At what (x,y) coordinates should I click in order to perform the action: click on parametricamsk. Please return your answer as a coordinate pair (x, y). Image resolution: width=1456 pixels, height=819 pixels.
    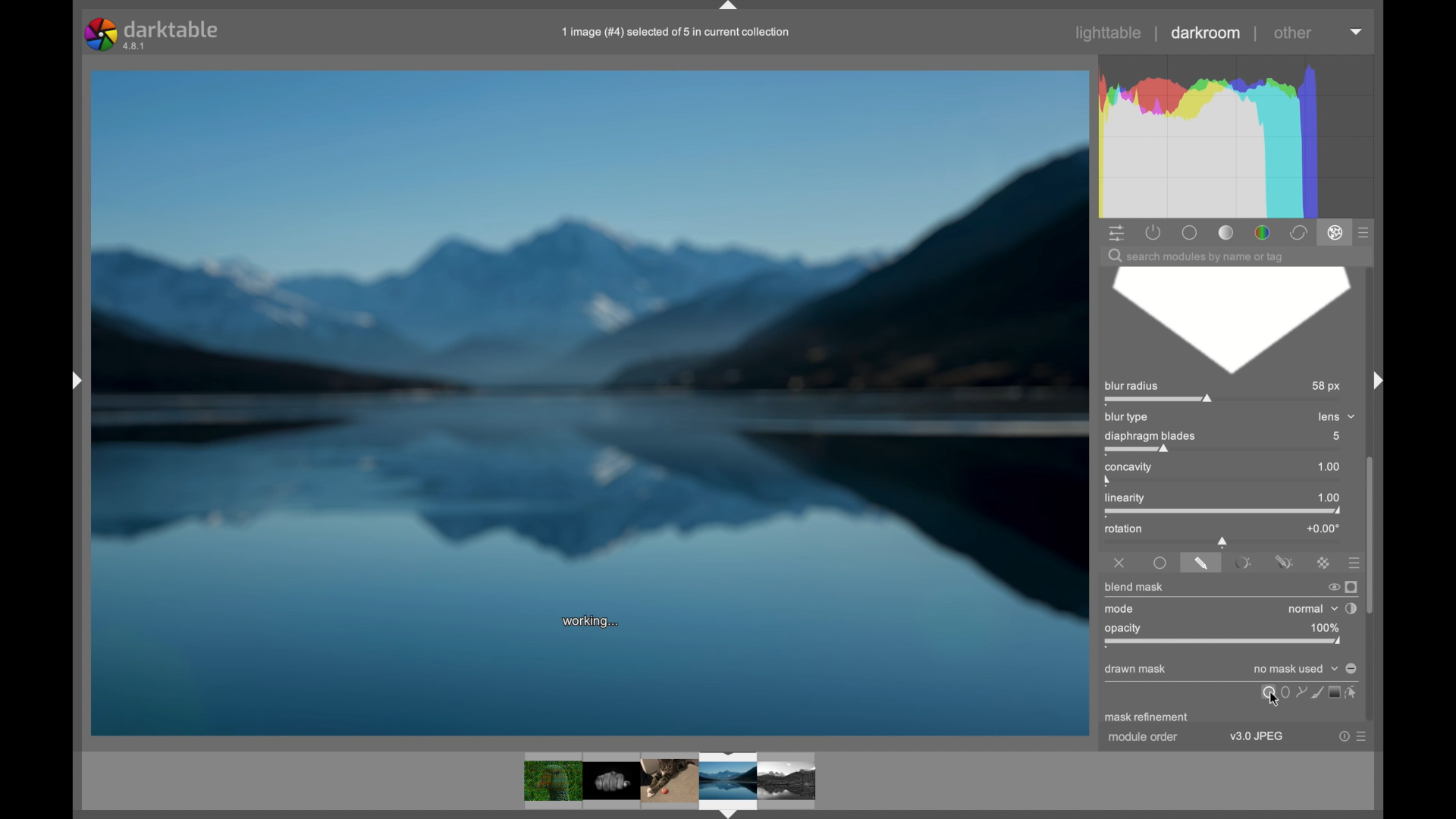
    Looking at the image, I should click on (1241, 562).